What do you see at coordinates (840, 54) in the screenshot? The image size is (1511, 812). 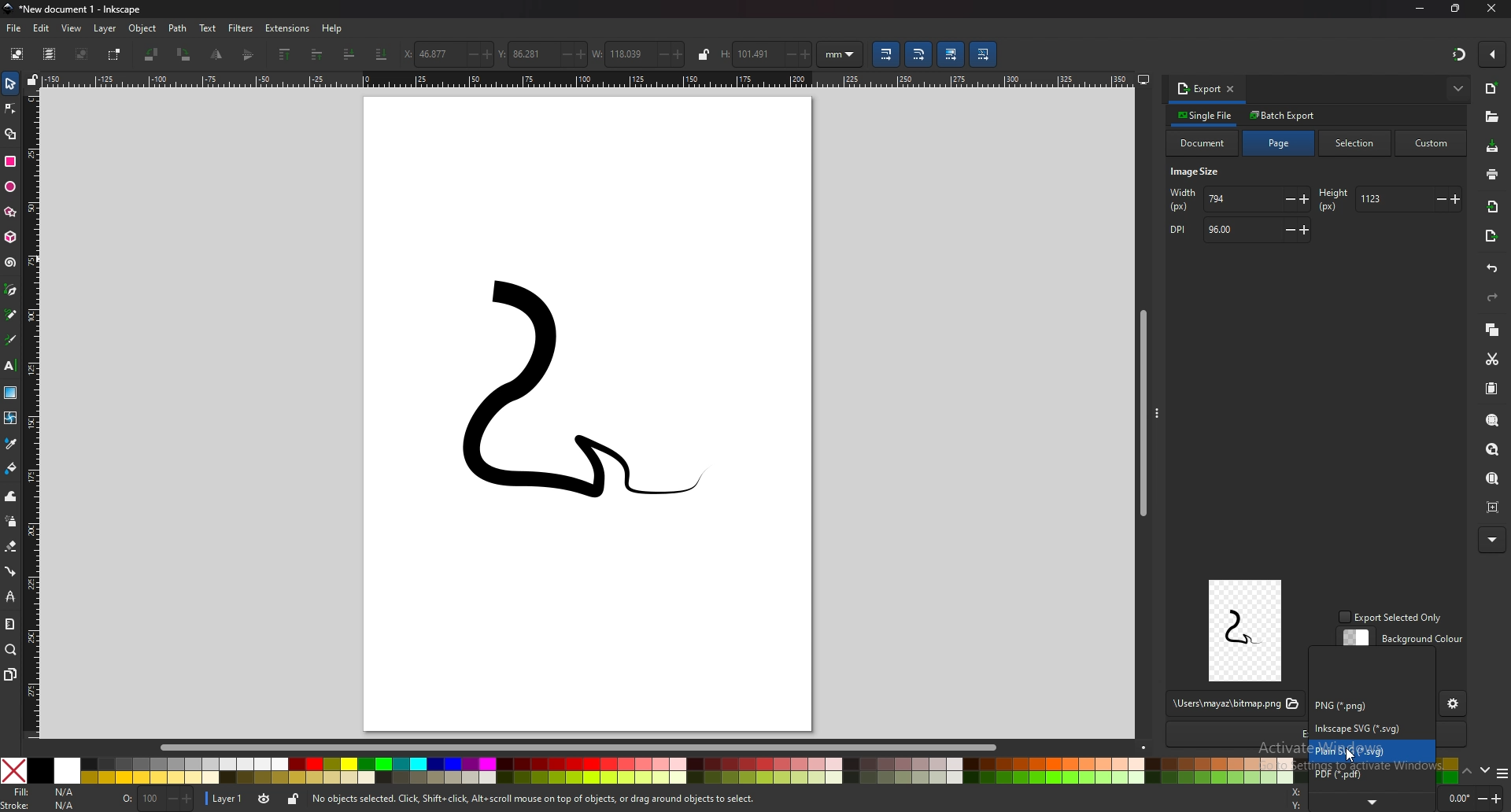 I see `units` at bounding box center [840, 54].